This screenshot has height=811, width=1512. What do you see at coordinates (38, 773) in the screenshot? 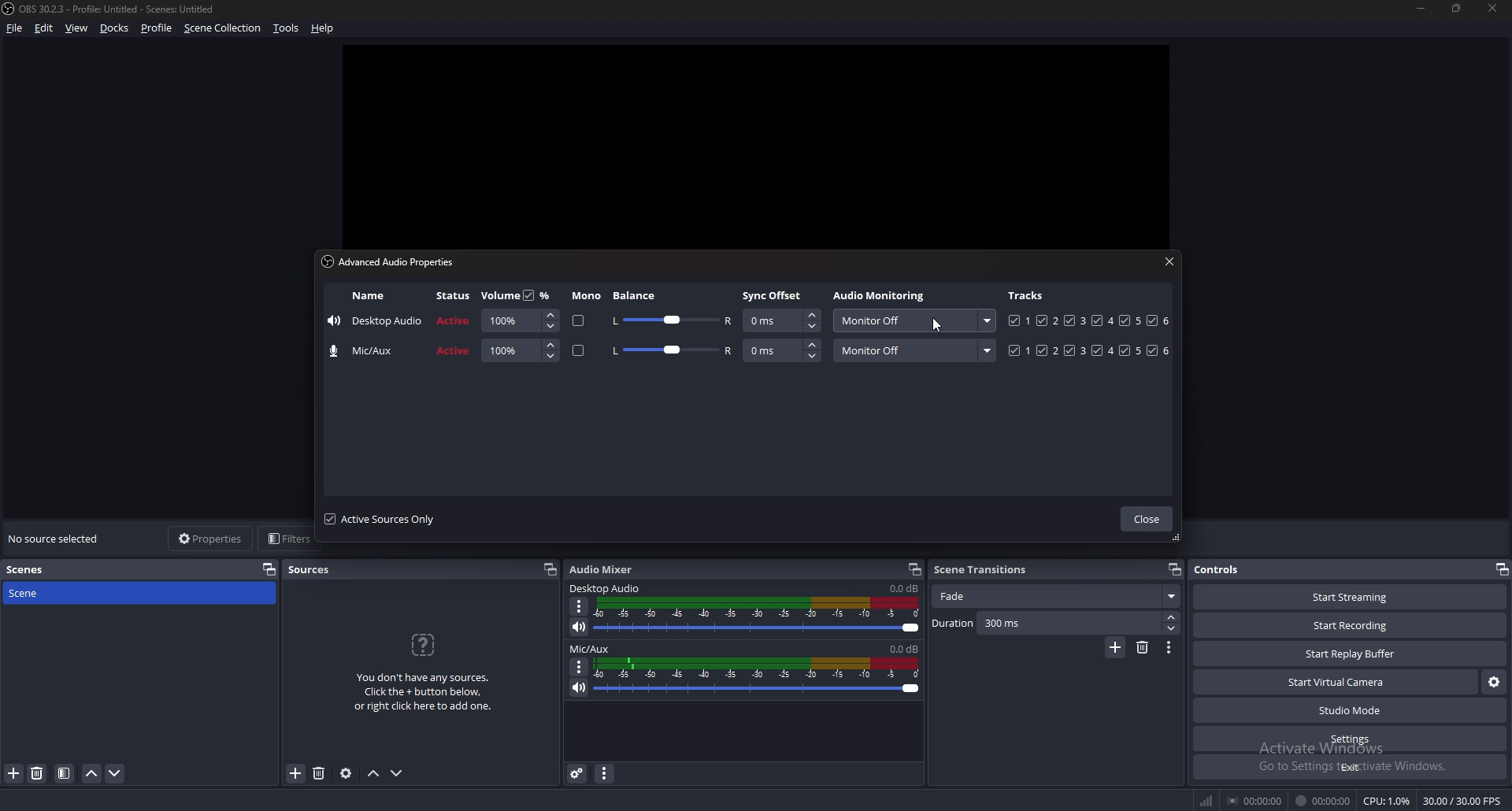
I see `remove filter` at bounding box center [38, 773].